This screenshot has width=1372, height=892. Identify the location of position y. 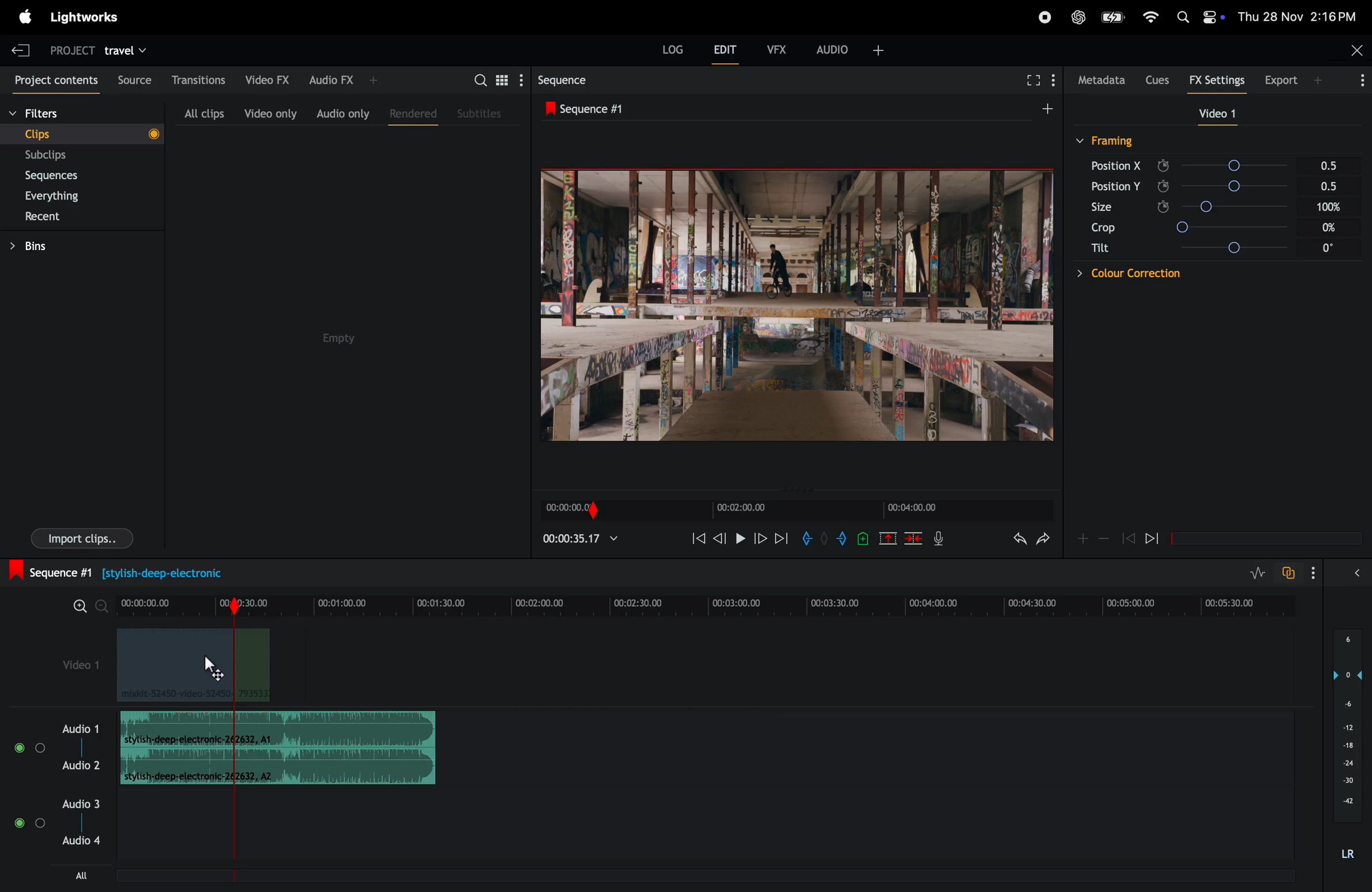
(1114, 186).